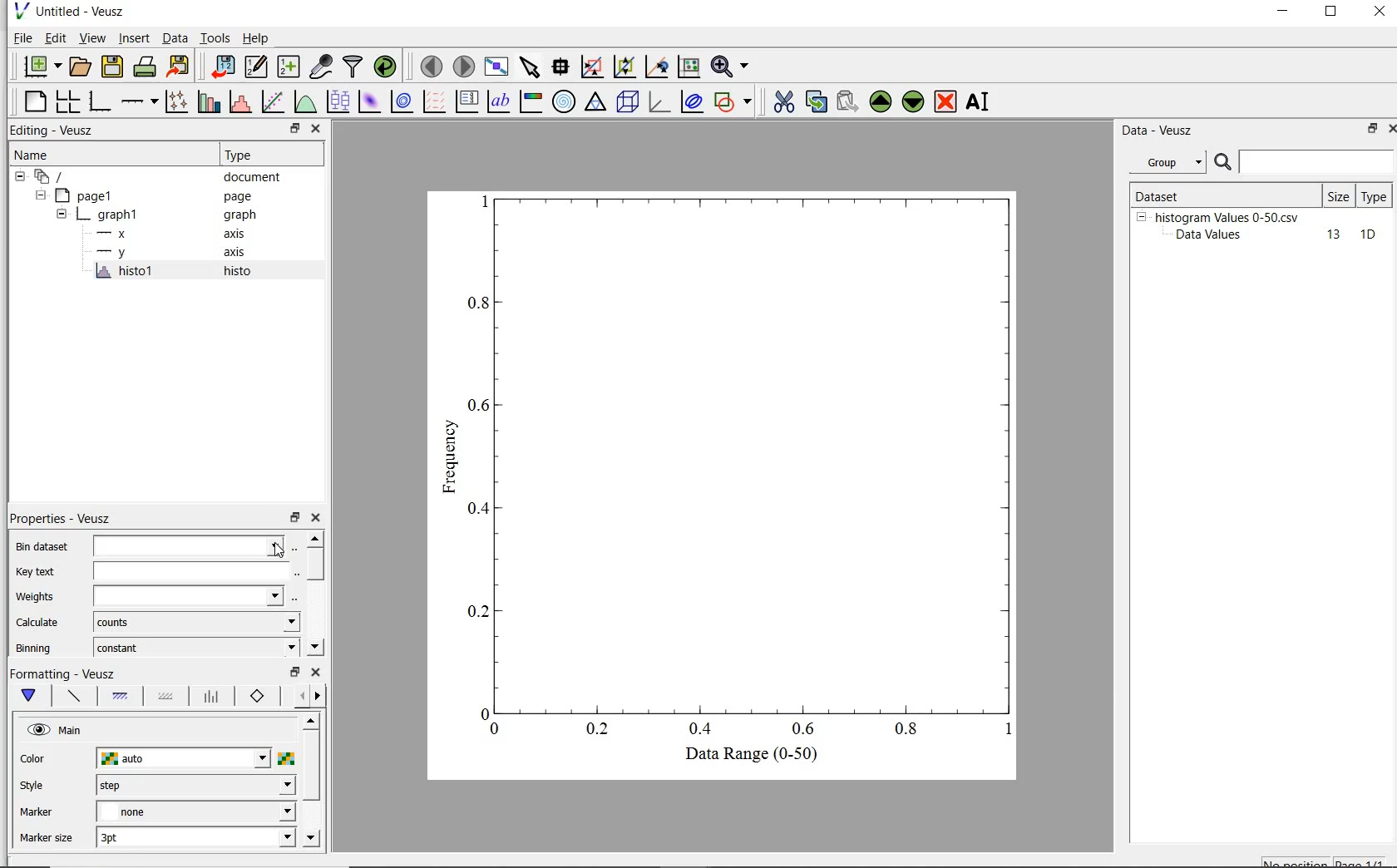 The width and height of the screenshot is (1397, 868). I want to click on Data Values, so click(1214, 235).